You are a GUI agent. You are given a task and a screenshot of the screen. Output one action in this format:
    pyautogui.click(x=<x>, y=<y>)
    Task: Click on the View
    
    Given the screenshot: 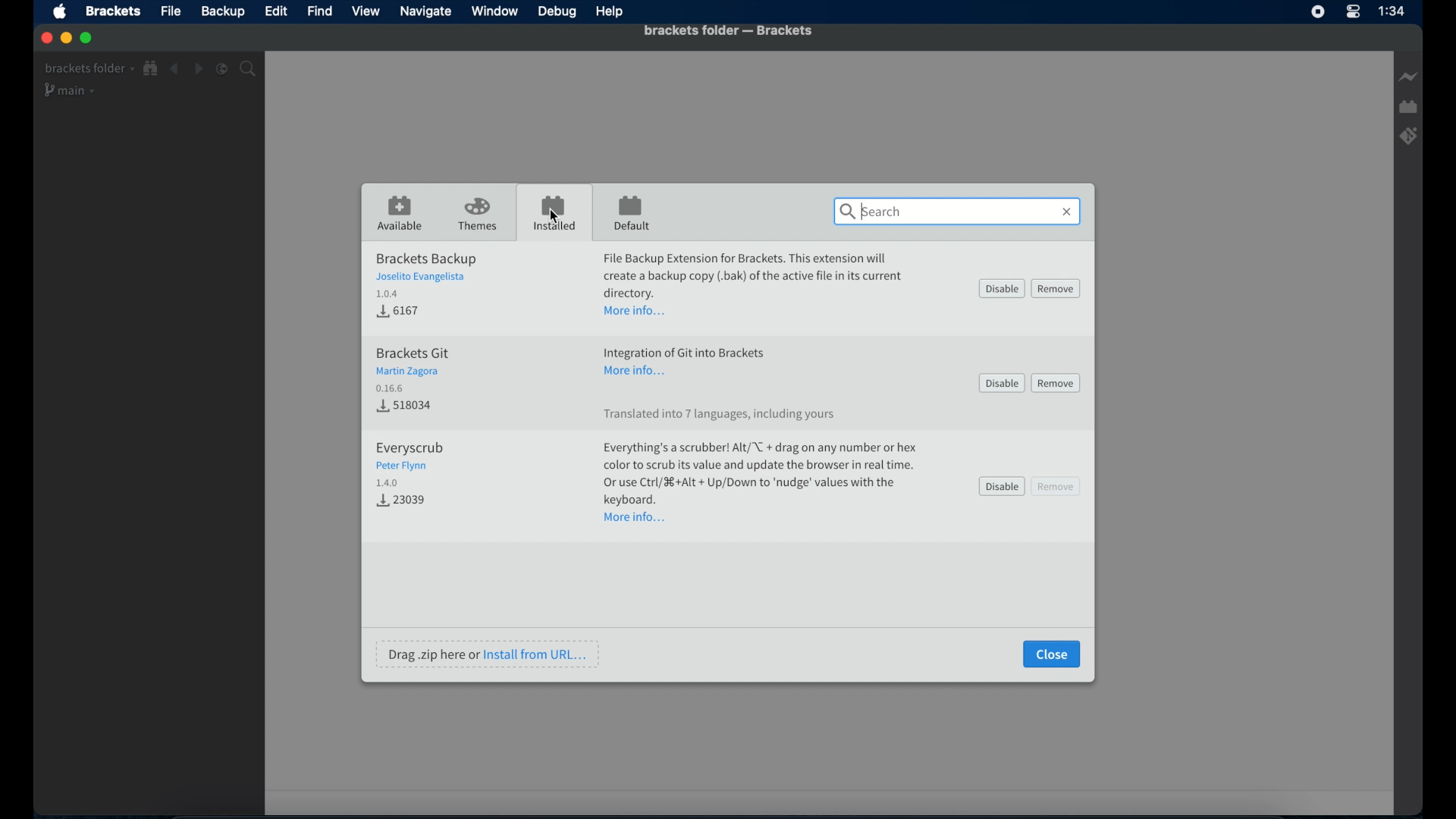 What is the action you would take?
    pyautogui.click(x=365, y=11)
    